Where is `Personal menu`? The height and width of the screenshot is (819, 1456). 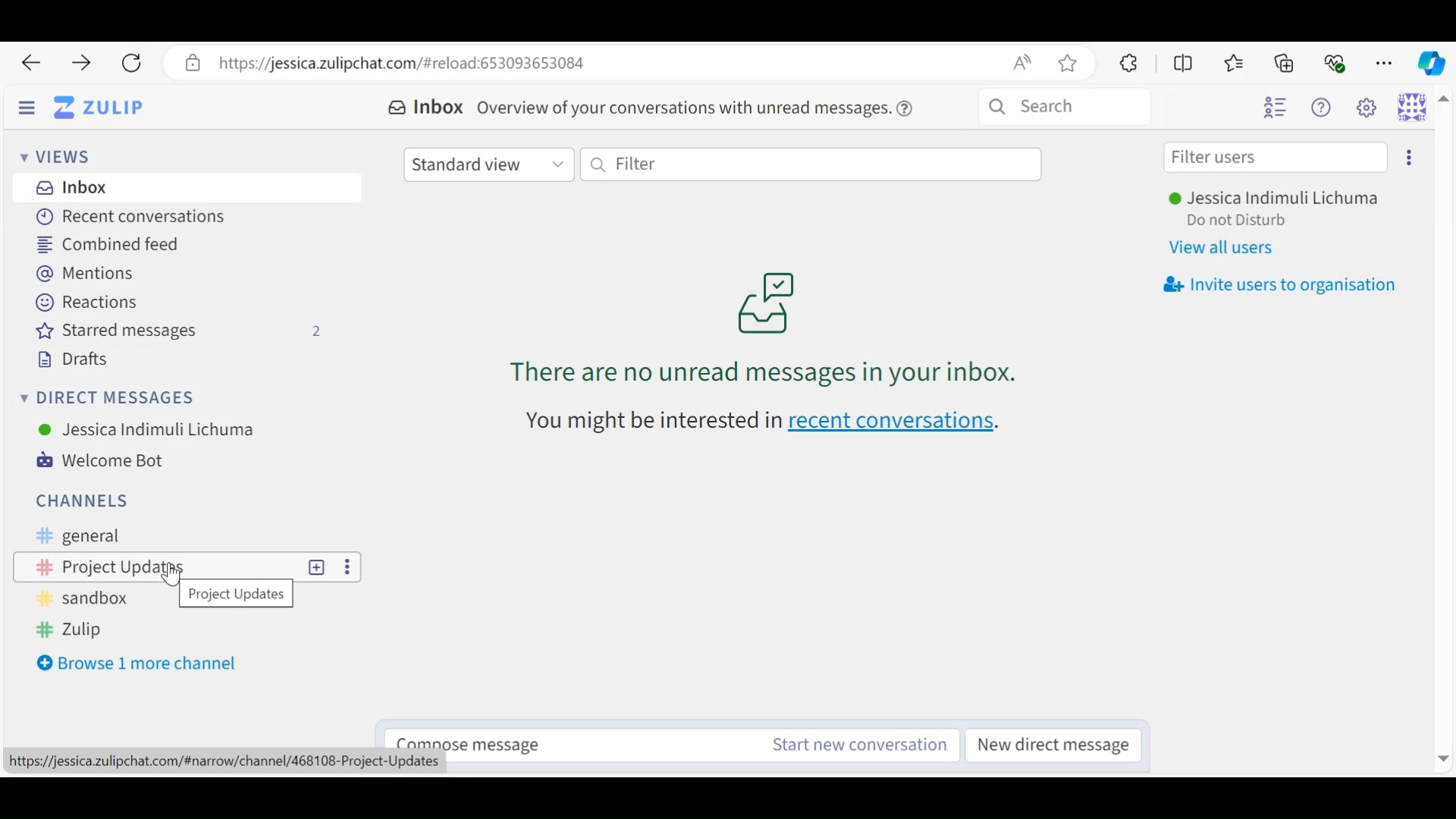 Personal menu is located at coordinates (1412, 106).